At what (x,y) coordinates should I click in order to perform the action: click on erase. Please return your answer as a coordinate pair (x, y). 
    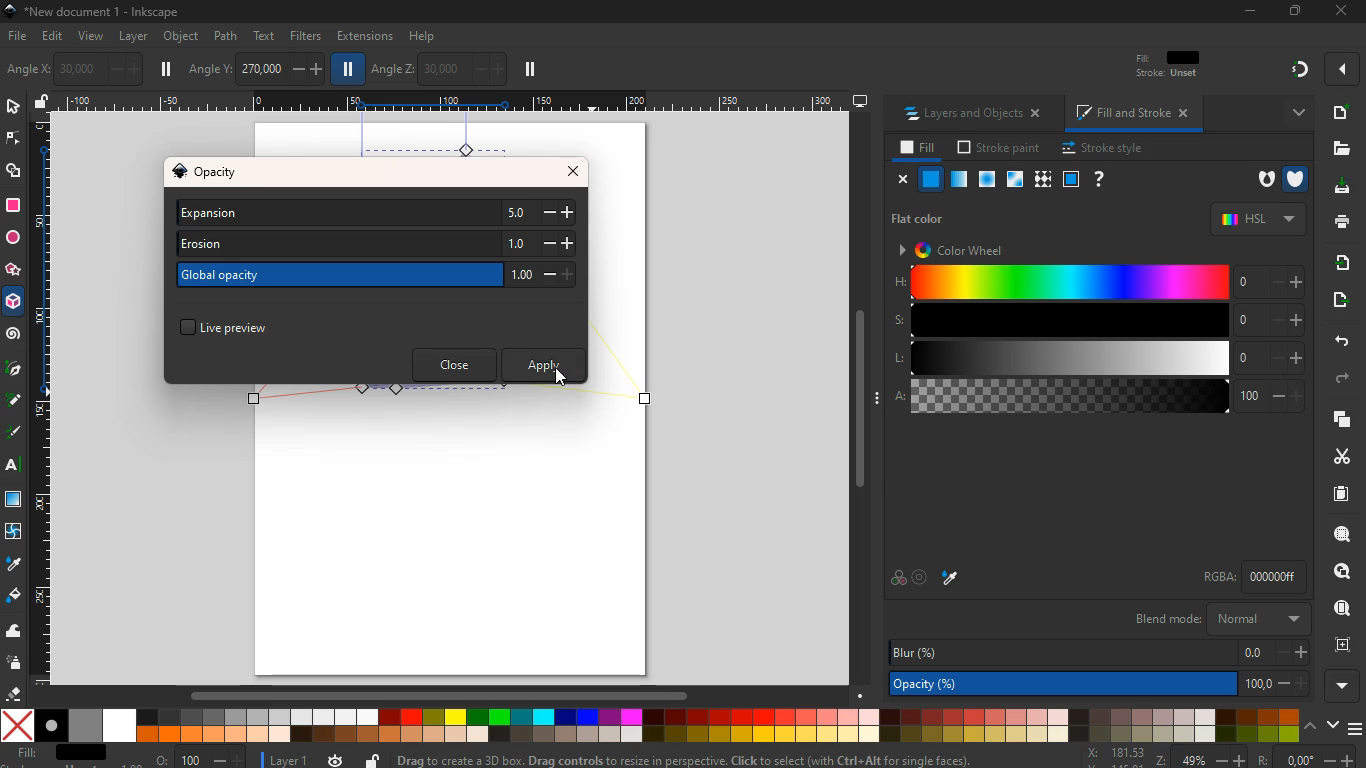
    Looking at the image, I should click on (15, 694).